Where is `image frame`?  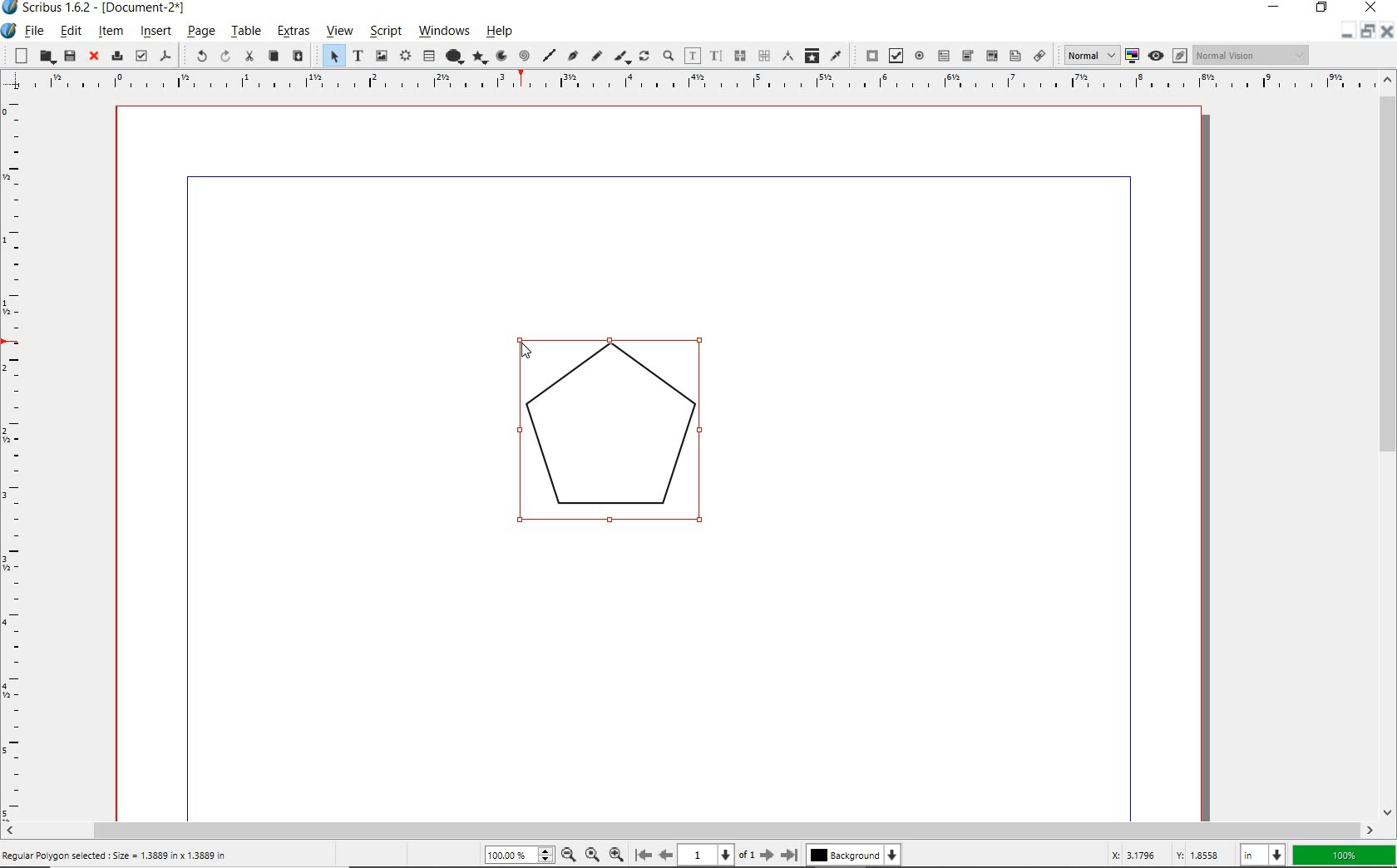
image frame is located at coordinates (380, 55).